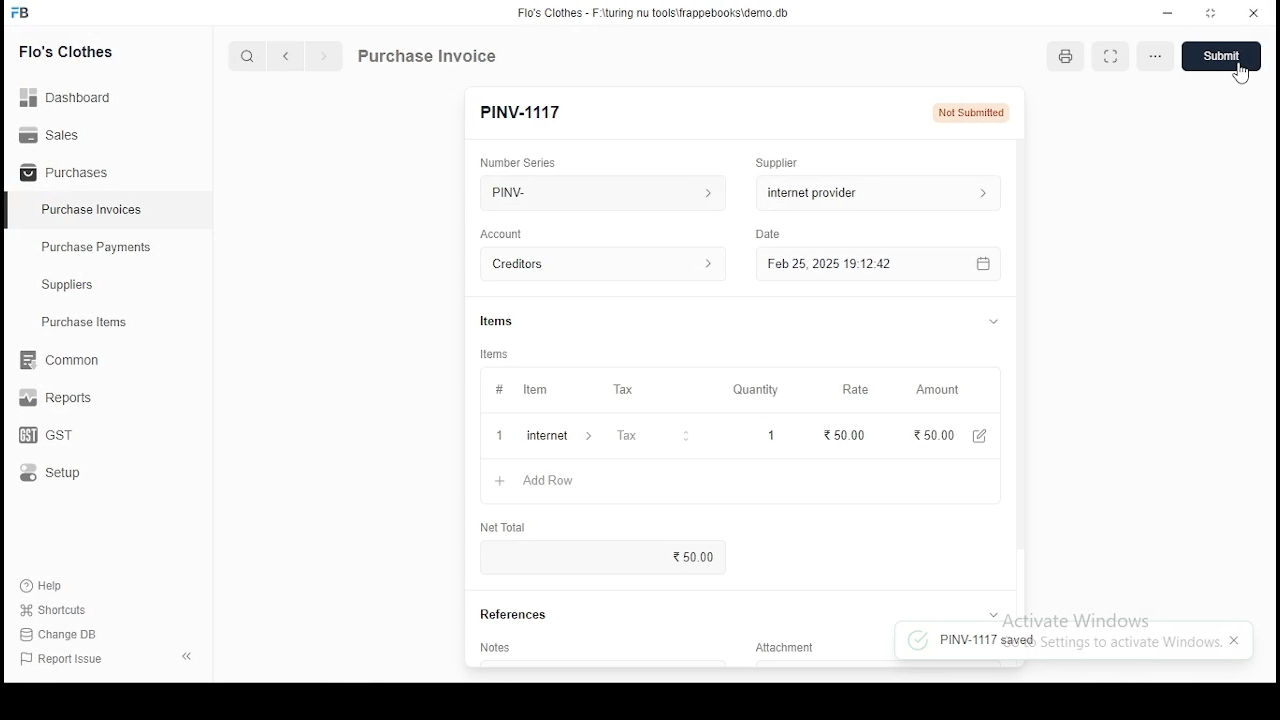 The image size is (1280, 720). Describe the element at coordinates (765, 435) in the screenshot. I see `1` at that location.